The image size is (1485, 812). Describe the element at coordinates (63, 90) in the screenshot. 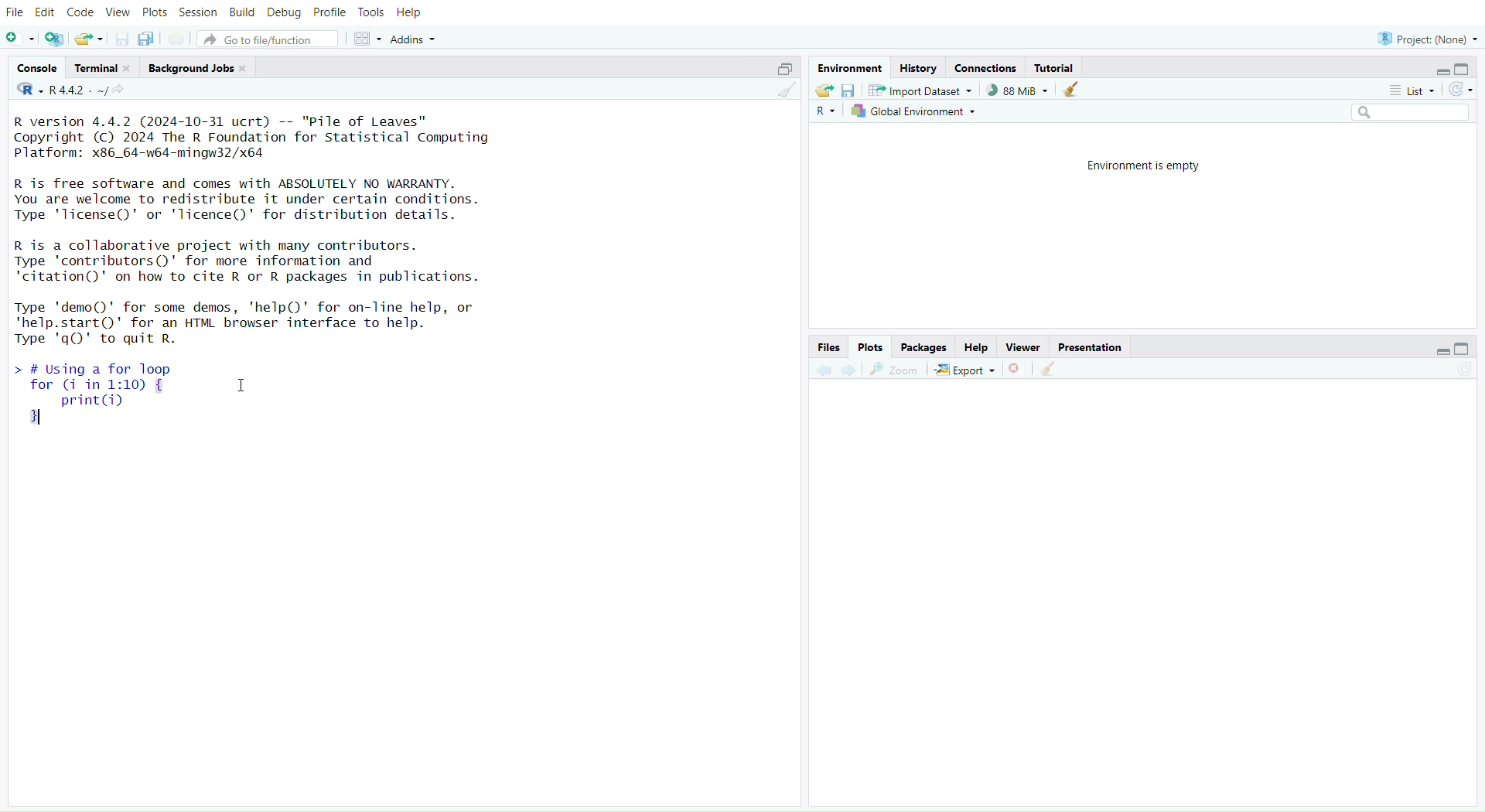

I see `R 4.4.2` at that location.